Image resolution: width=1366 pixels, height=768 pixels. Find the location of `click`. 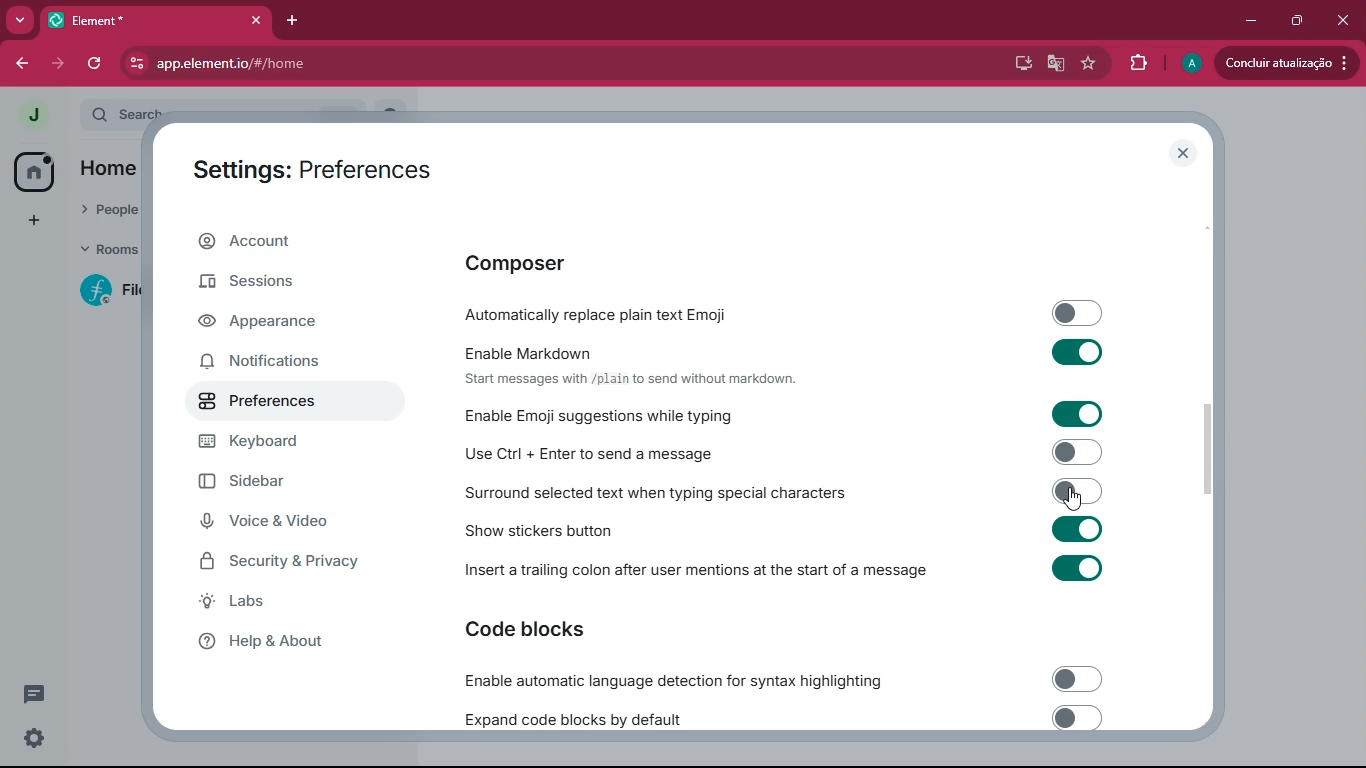

click is located at coordinates (1346, 22).